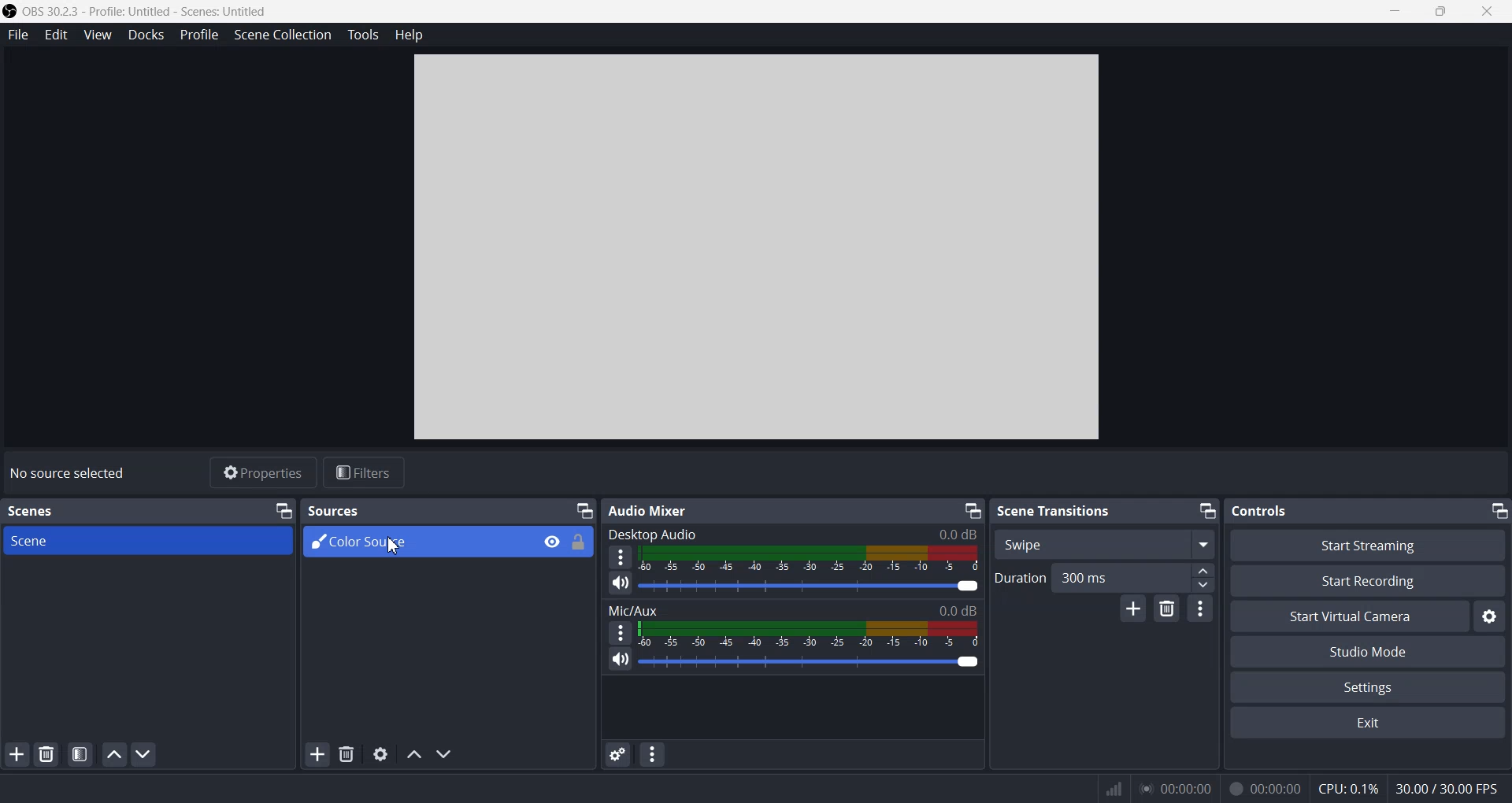 The height and width of the screenshot is (803, 1512). What do you see at coordinates (1369, 580) in the screenshot?
I see `Start Recording` at bounding box center [1369, 580].